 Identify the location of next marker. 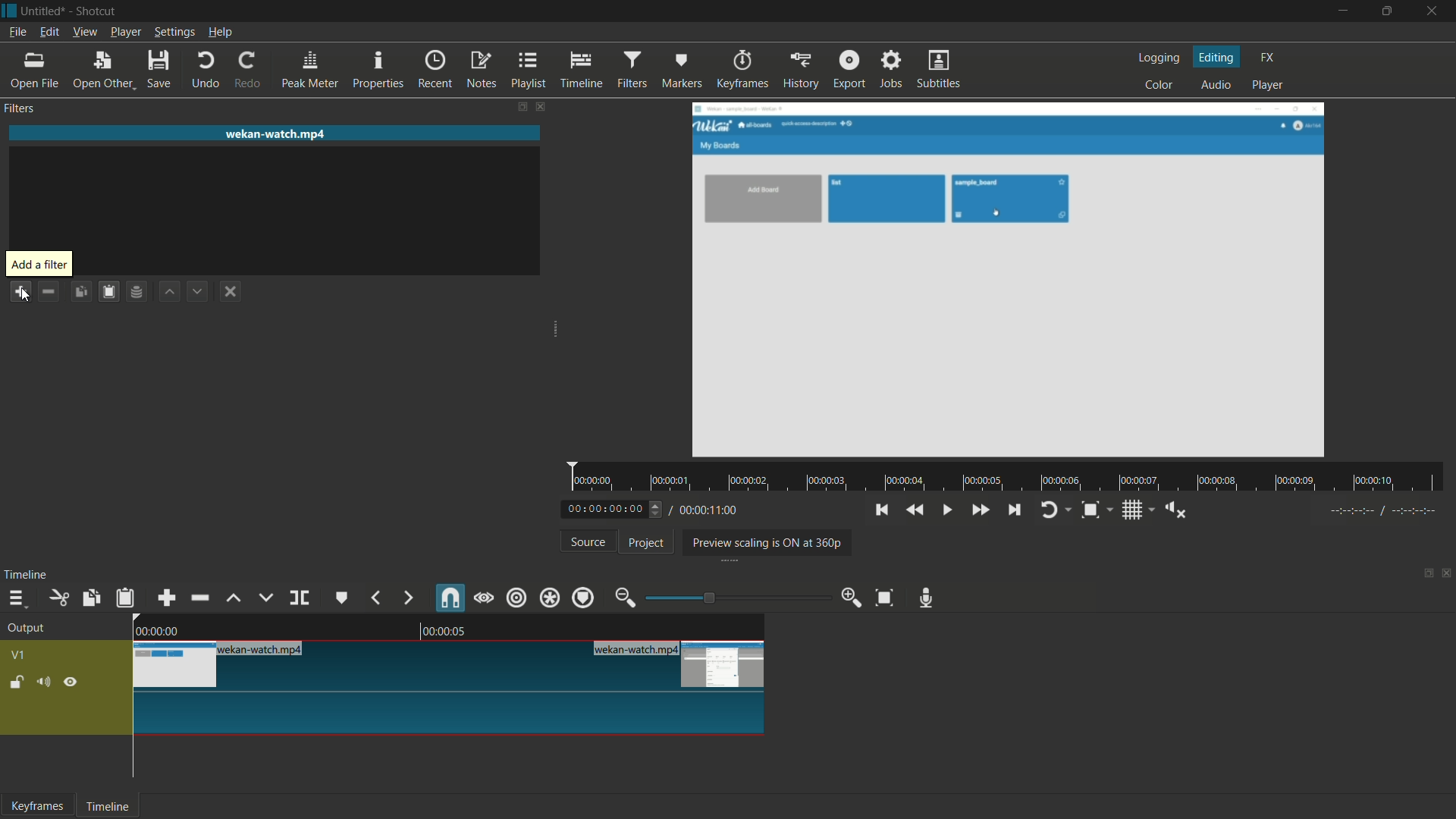
(406, 598).